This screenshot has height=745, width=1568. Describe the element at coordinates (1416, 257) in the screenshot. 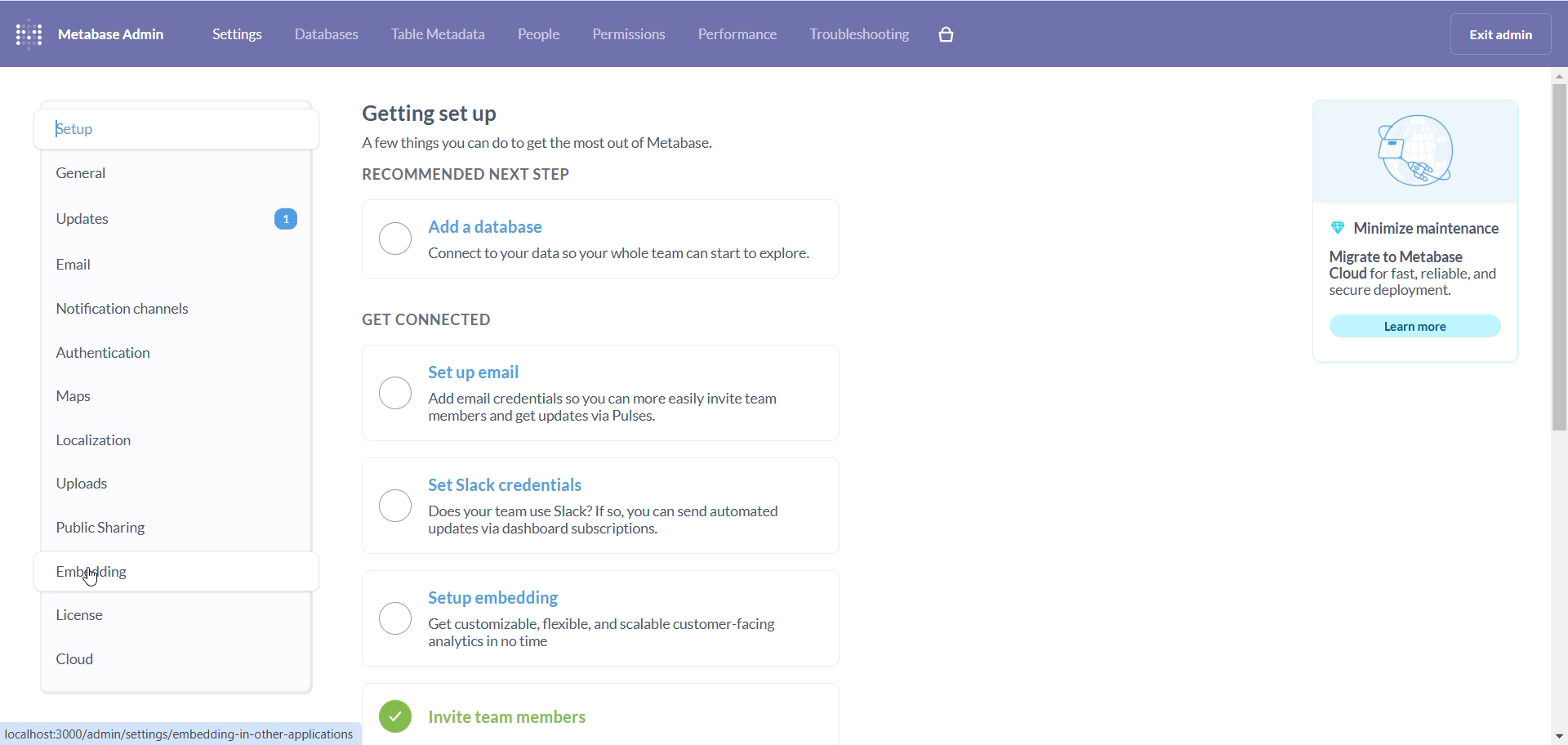

I see ` Minimize maintenanceMigrate to MetabaseCloud for fast, reliable, andsecure deployment.` at that location.